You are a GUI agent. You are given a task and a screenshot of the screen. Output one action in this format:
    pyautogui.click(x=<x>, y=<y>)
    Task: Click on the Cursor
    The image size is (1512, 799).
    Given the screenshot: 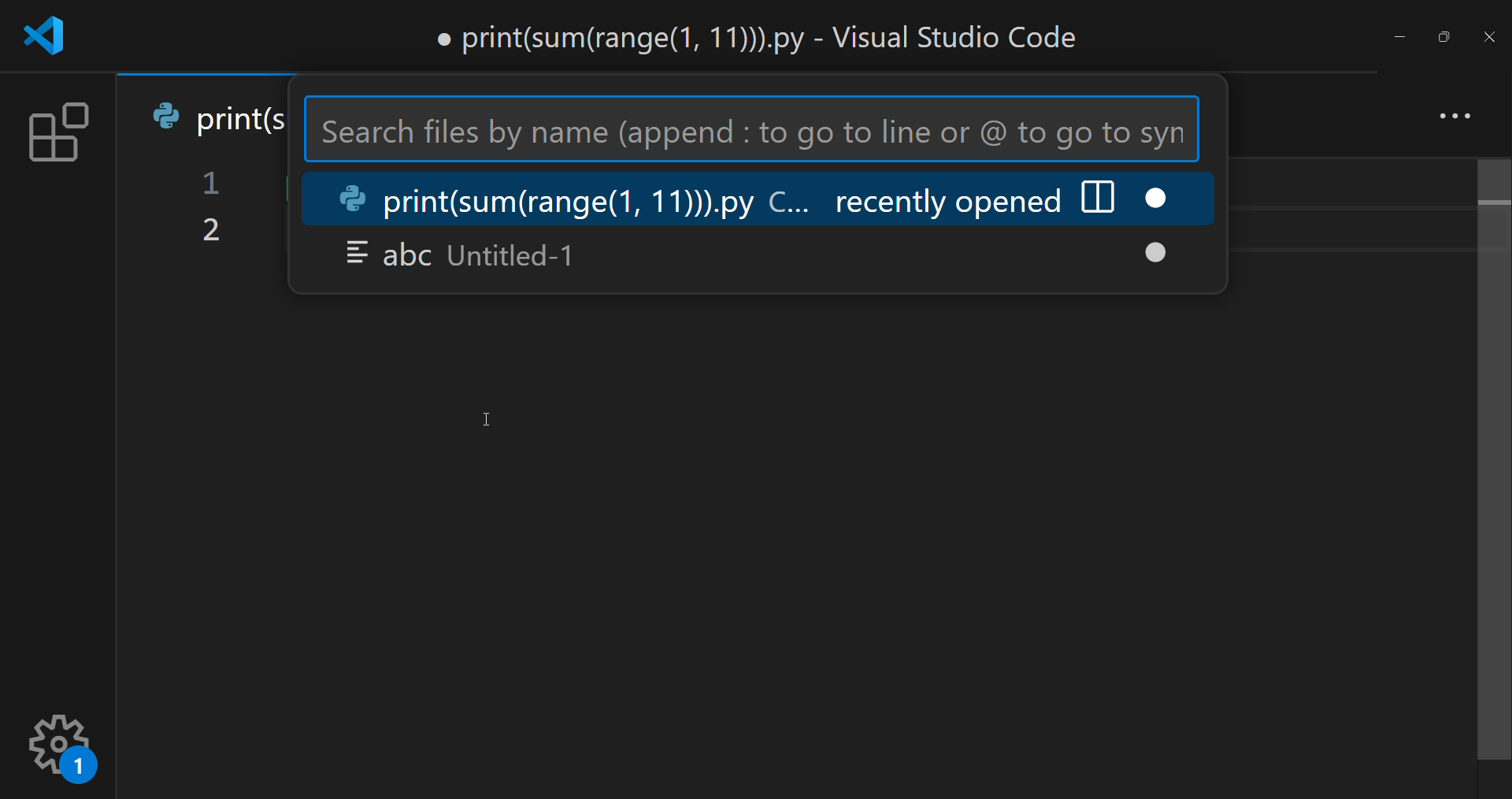 What is the action you would take?
    pyautogui.click(x=492, y=418)
    